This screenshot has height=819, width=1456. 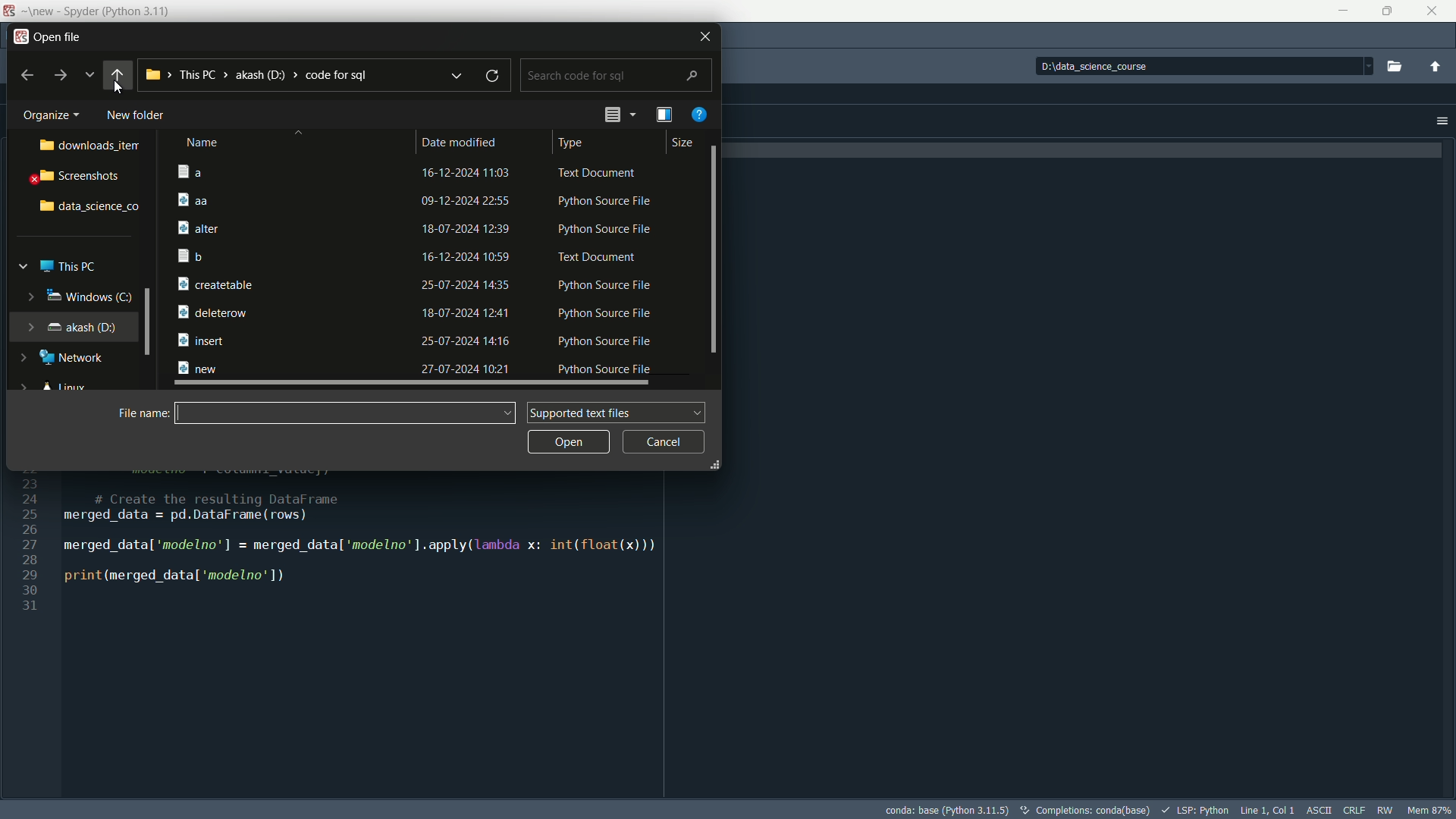 What do you see at coordinates (86, 146) in the screenshot?
I see `downlaods item` at bounding box center [86, 146].